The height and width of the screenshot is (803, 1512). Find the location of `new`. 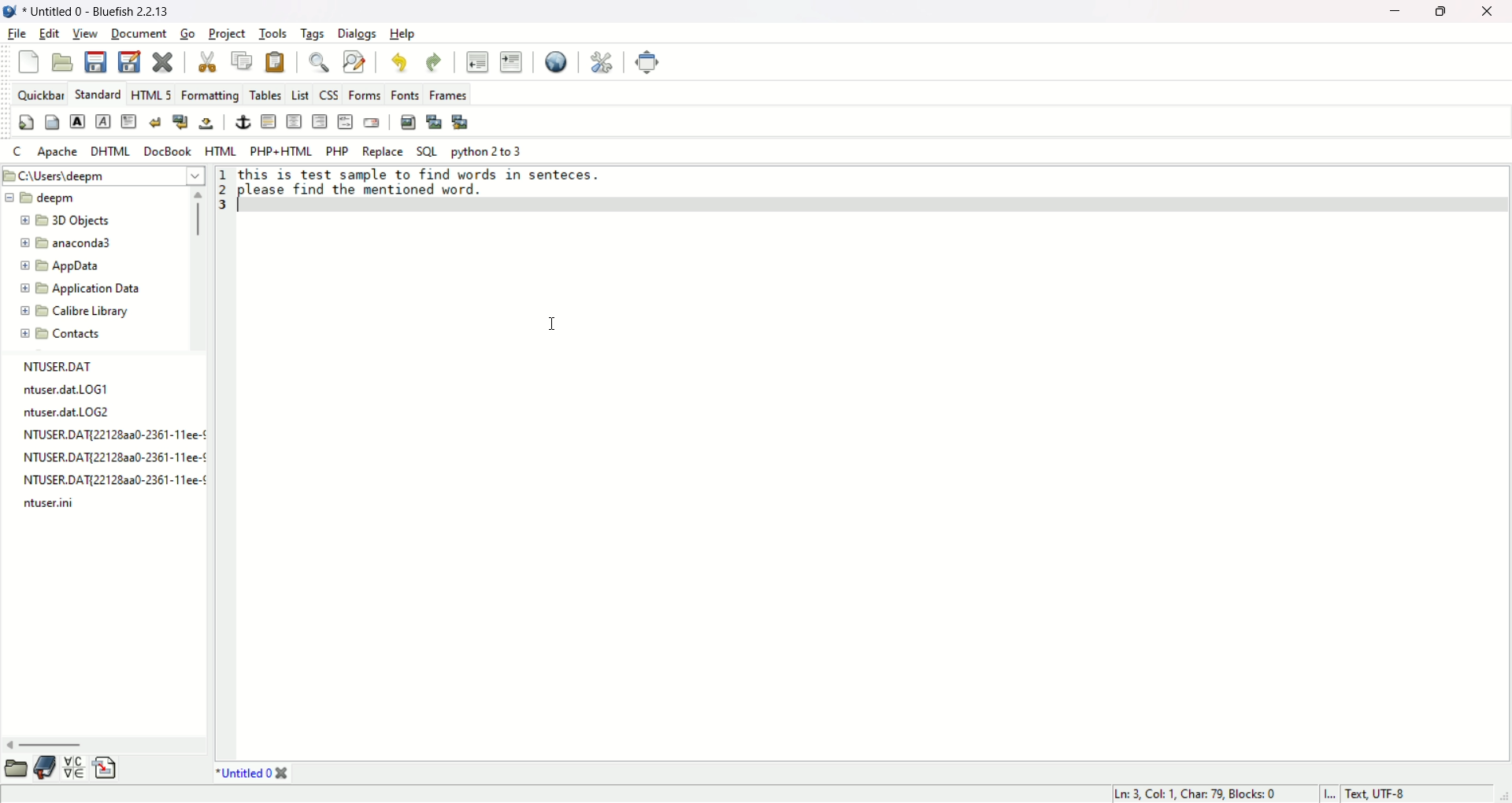

new is located at coordinates (29, 61).